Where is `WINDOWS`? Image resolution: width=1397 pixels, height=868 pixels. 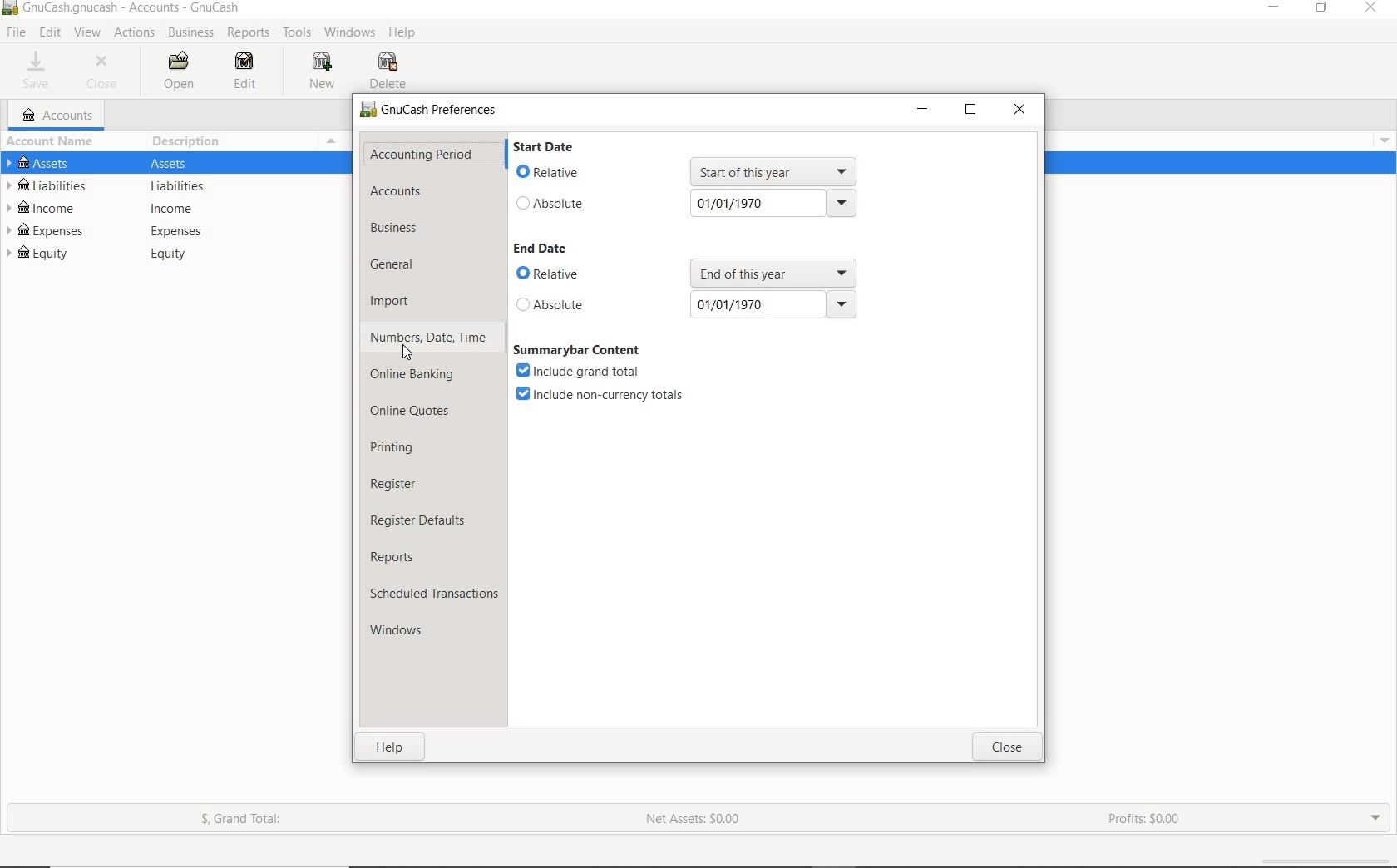 WINDOWS is located at coordinates (353, 32).